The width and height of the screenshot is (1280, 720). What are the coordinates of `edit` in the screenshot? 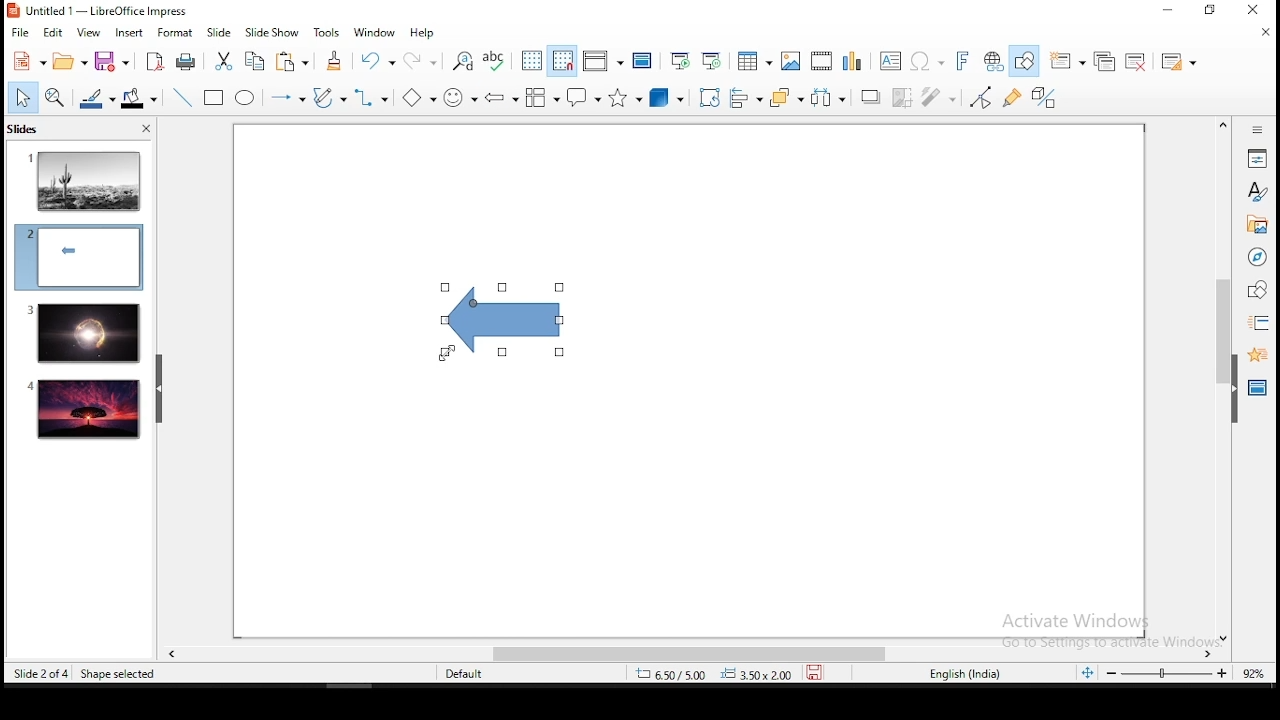 It's located at (53, 33).